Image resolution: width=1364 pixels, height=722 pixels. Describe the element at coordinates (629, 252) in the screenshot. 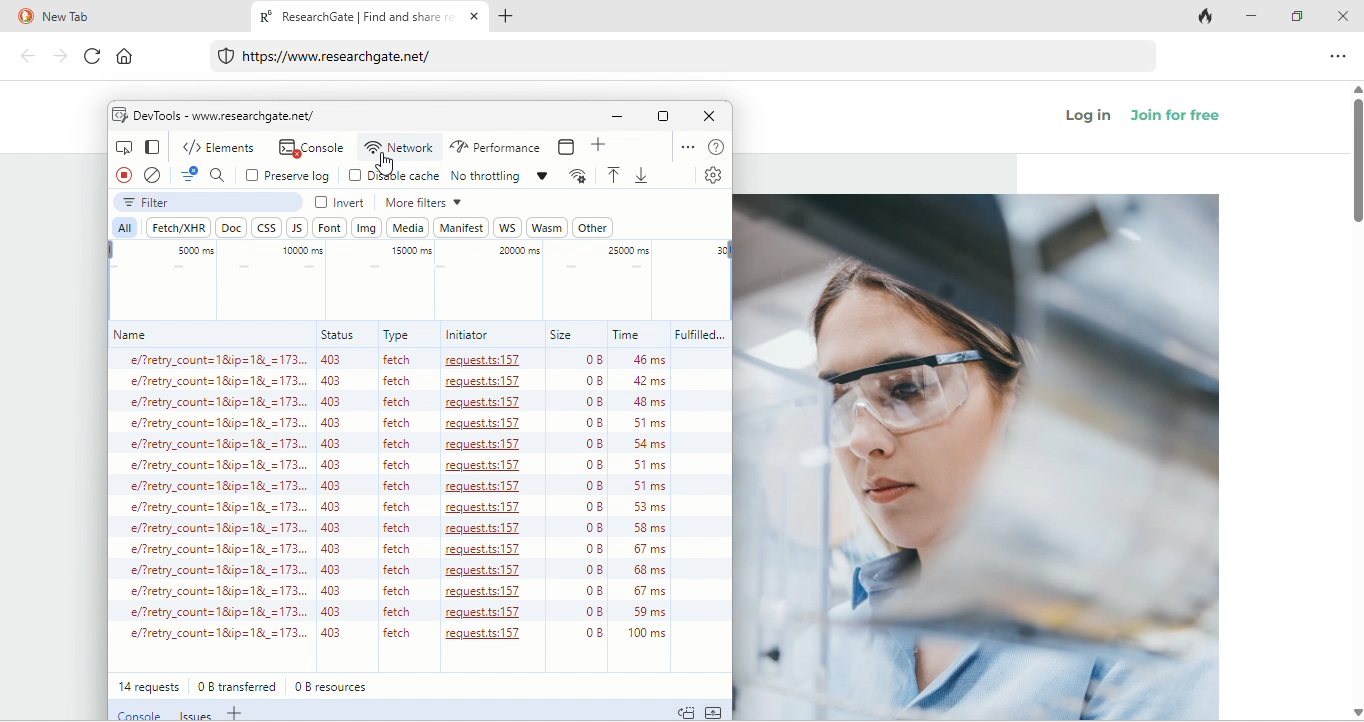

I see `25000 ms` at that location.